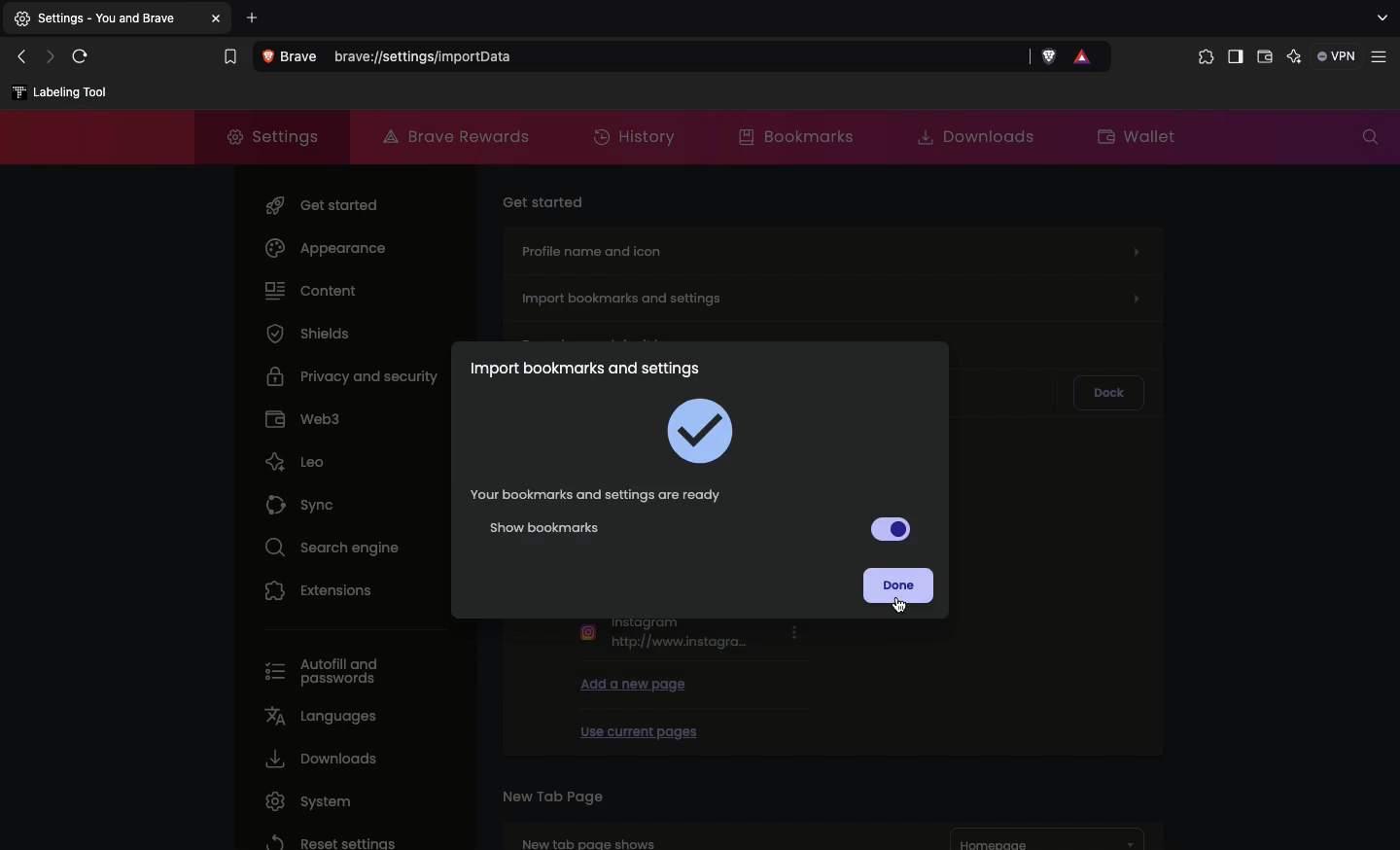 This screenshot has width=1400, height=850. What do you see at coordinates (1048, 839) in the screenshot?
I see `Homepage` at bounding box center [1048, 839].